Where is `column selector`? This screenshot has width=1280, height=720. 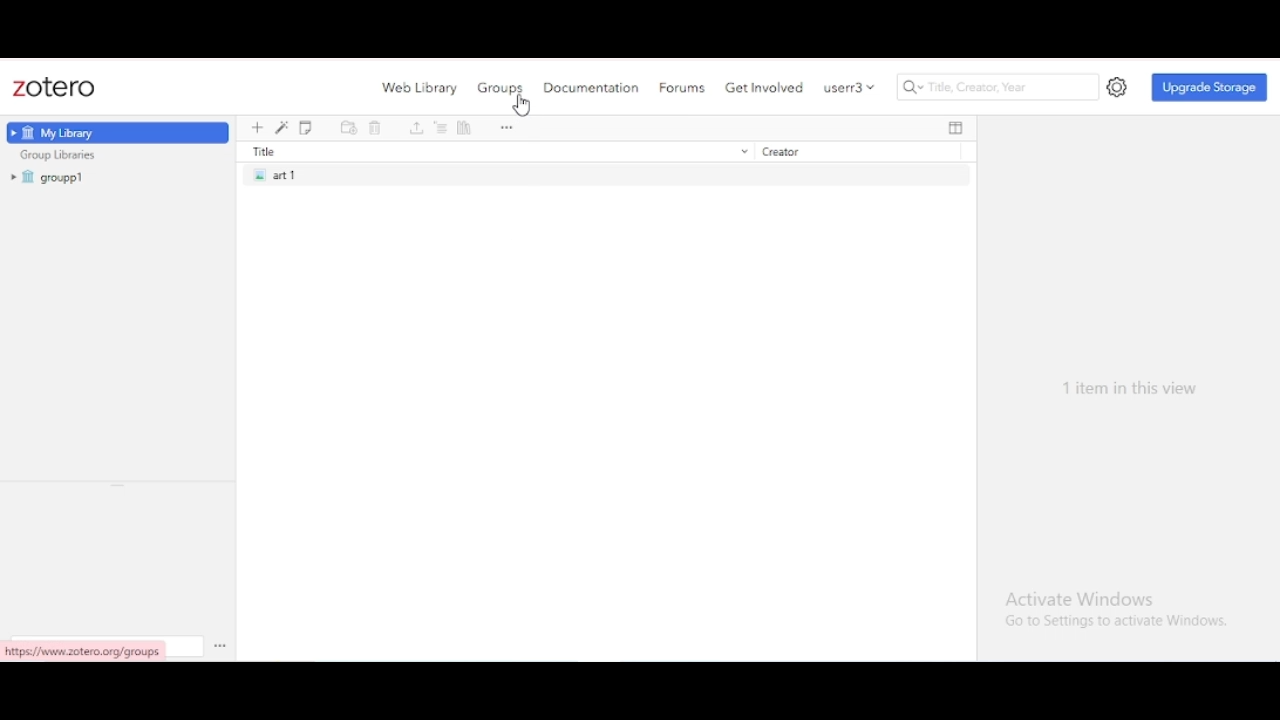
column selector is located at coordinates (956, 128).